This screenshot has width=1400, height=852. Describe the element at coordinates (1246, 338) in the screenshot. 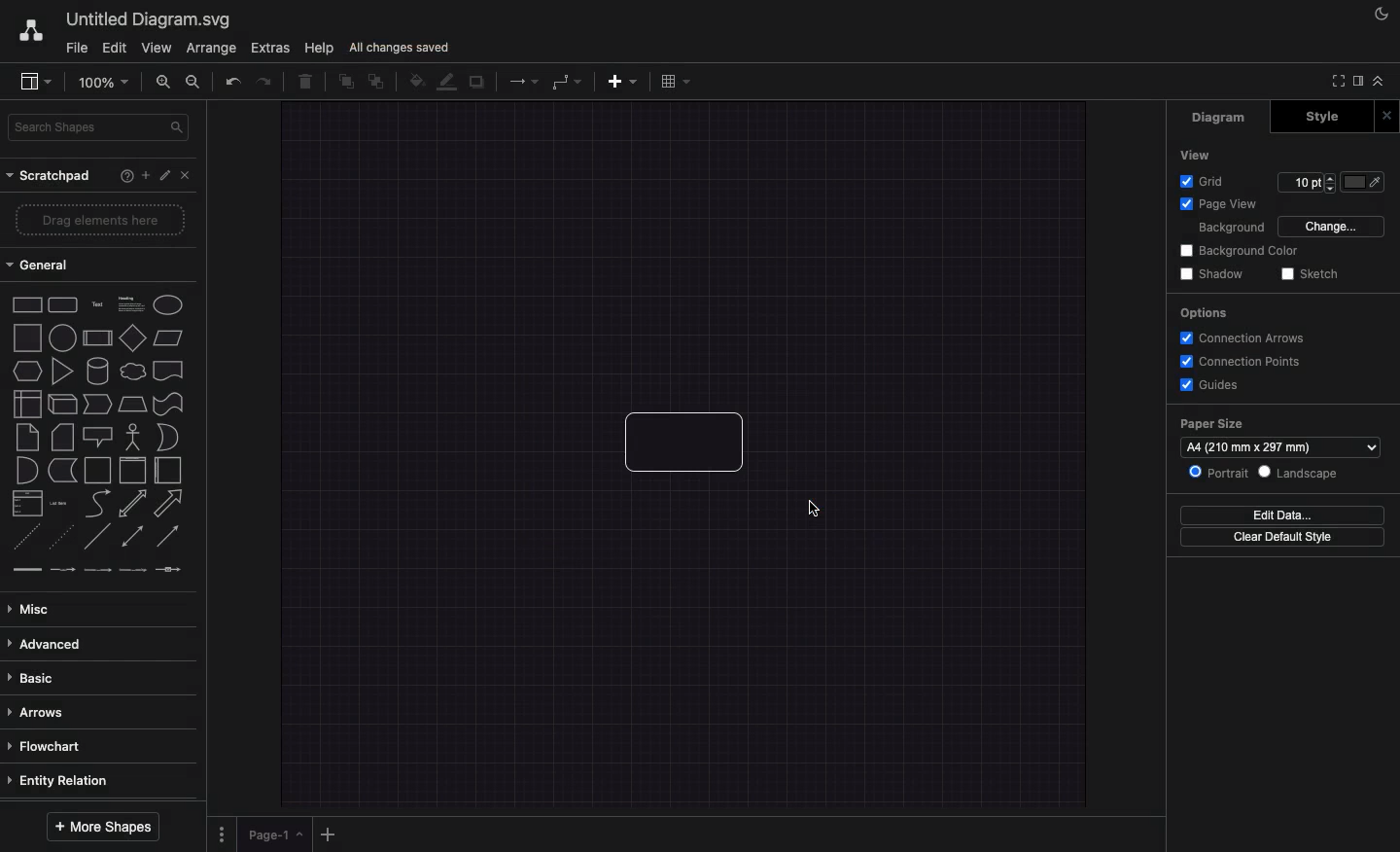

I see `Connection arrows` at that location.